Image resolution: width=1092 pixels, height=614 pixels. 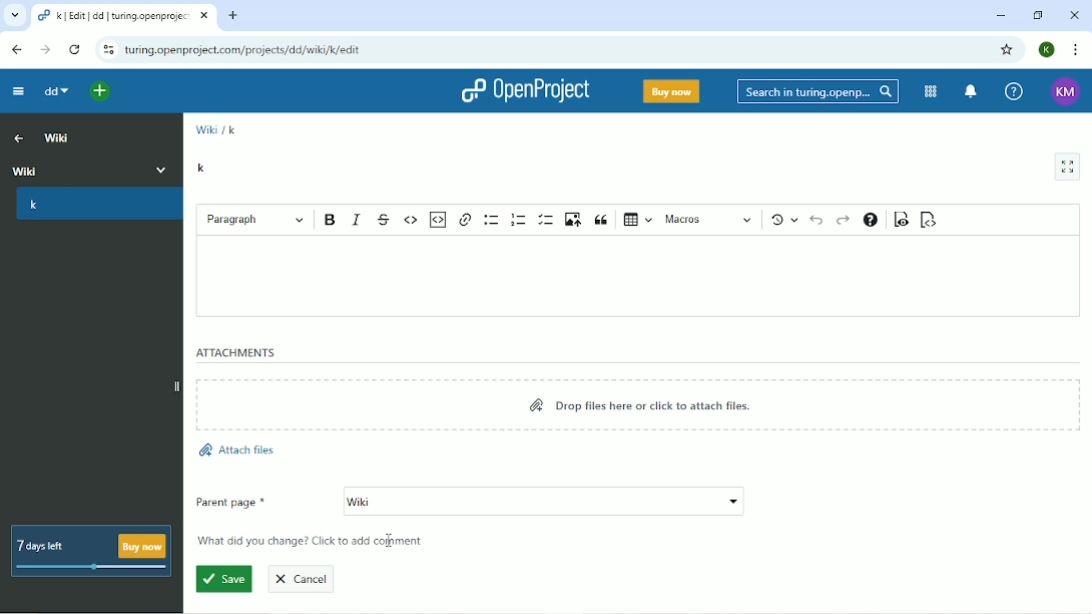 I want to click on Block quote, so click(x=603, y=219).